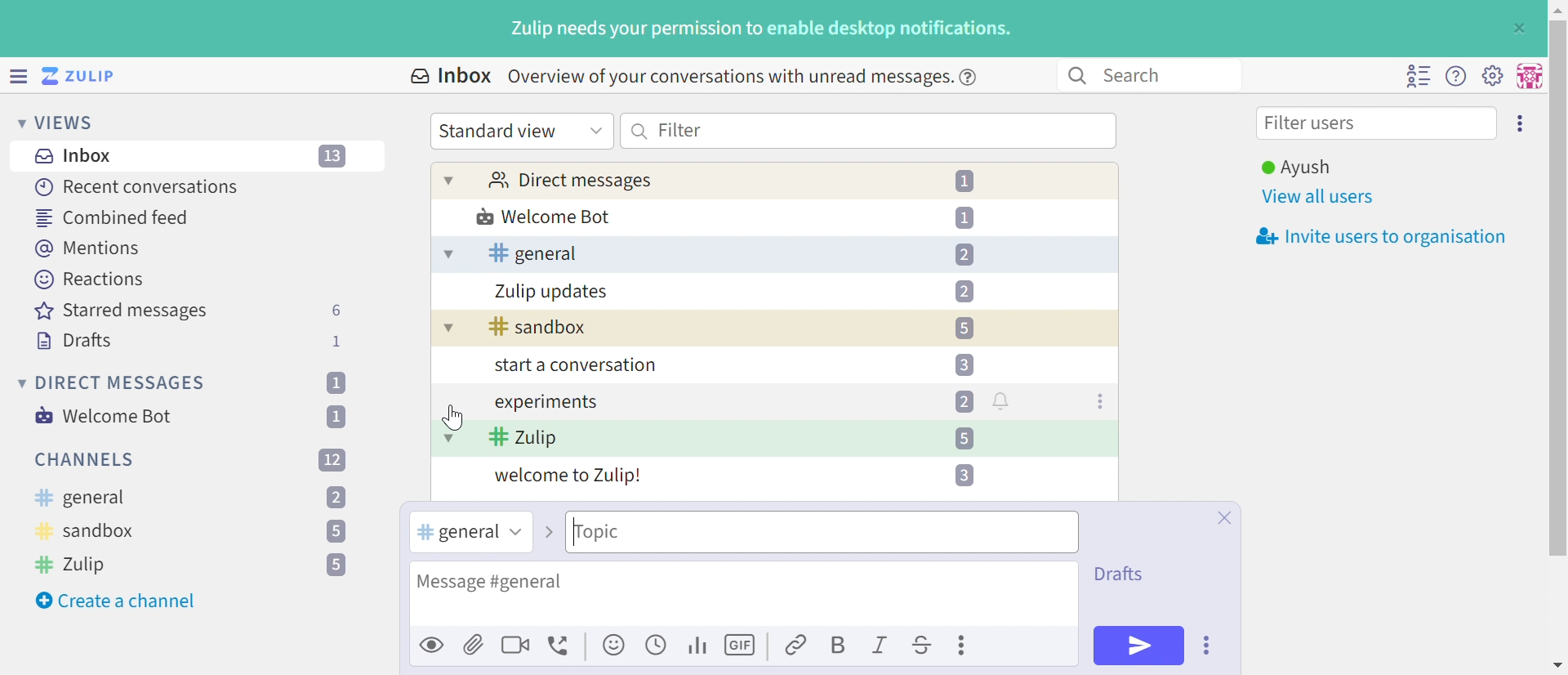 The width and height of the screenshot is (1568, 675). Describe the element at coordinates (533, 583) in the screenshot. I see `#general` at that location.